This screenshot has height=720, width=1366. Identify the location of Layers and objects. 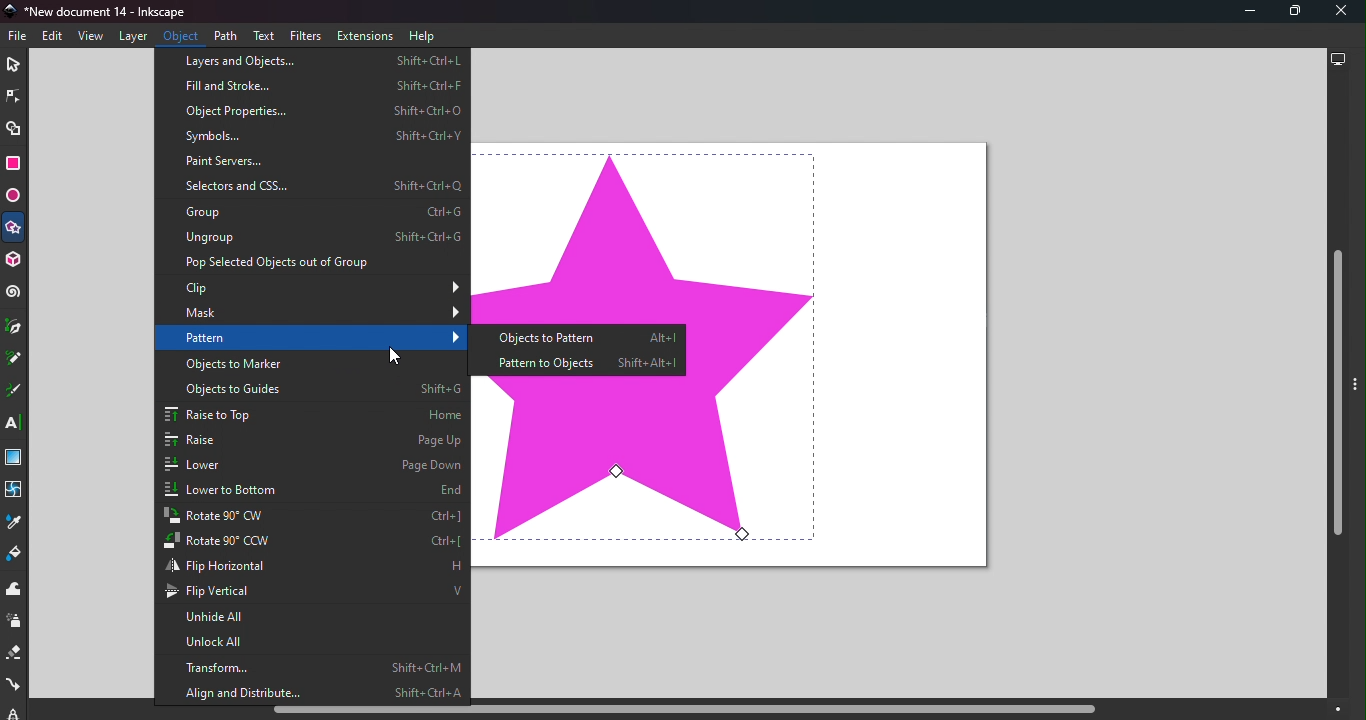
(317, 61).